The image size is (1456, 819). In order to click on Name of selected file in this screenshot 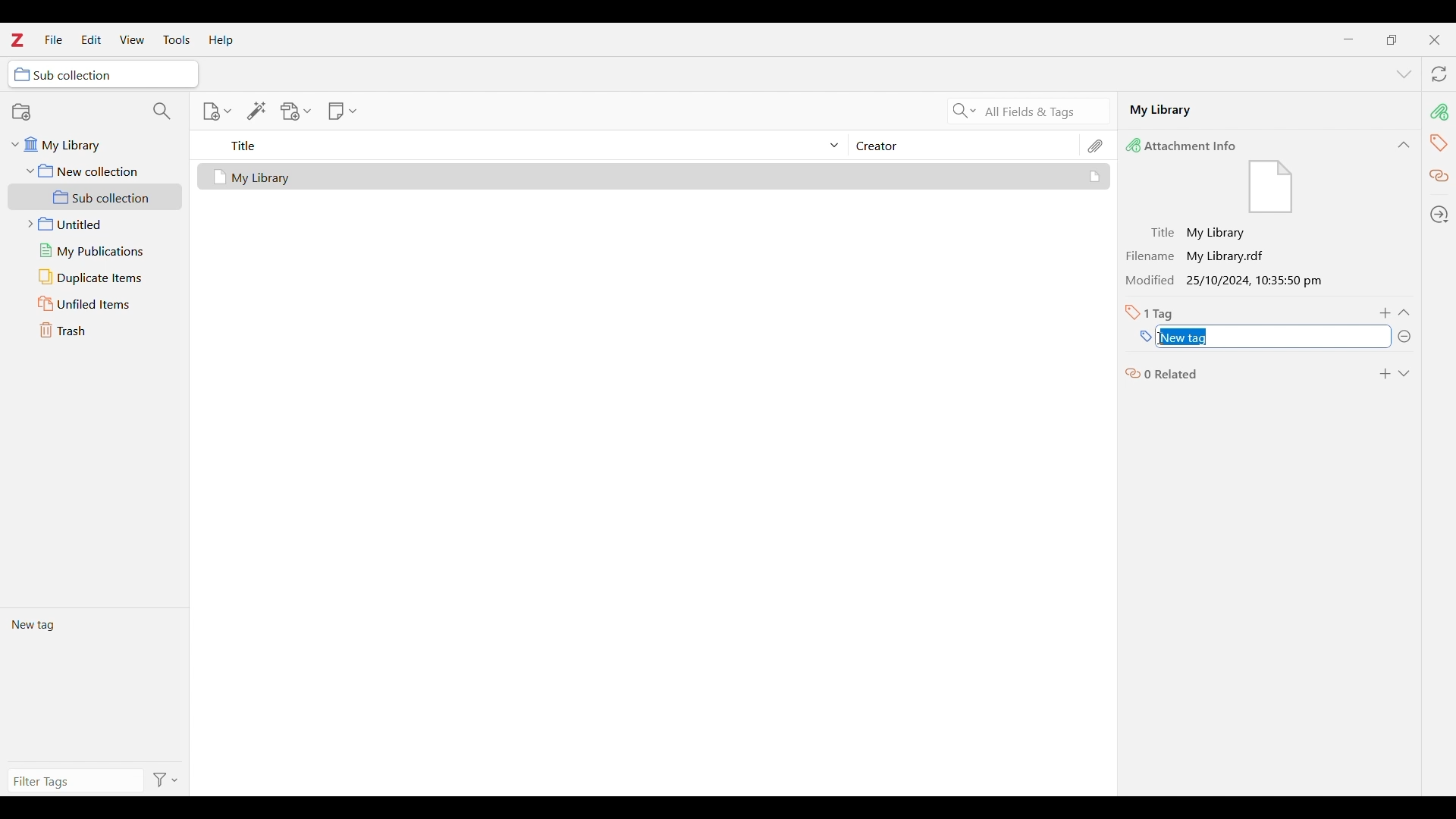, I will do `click(1251, 109)`.